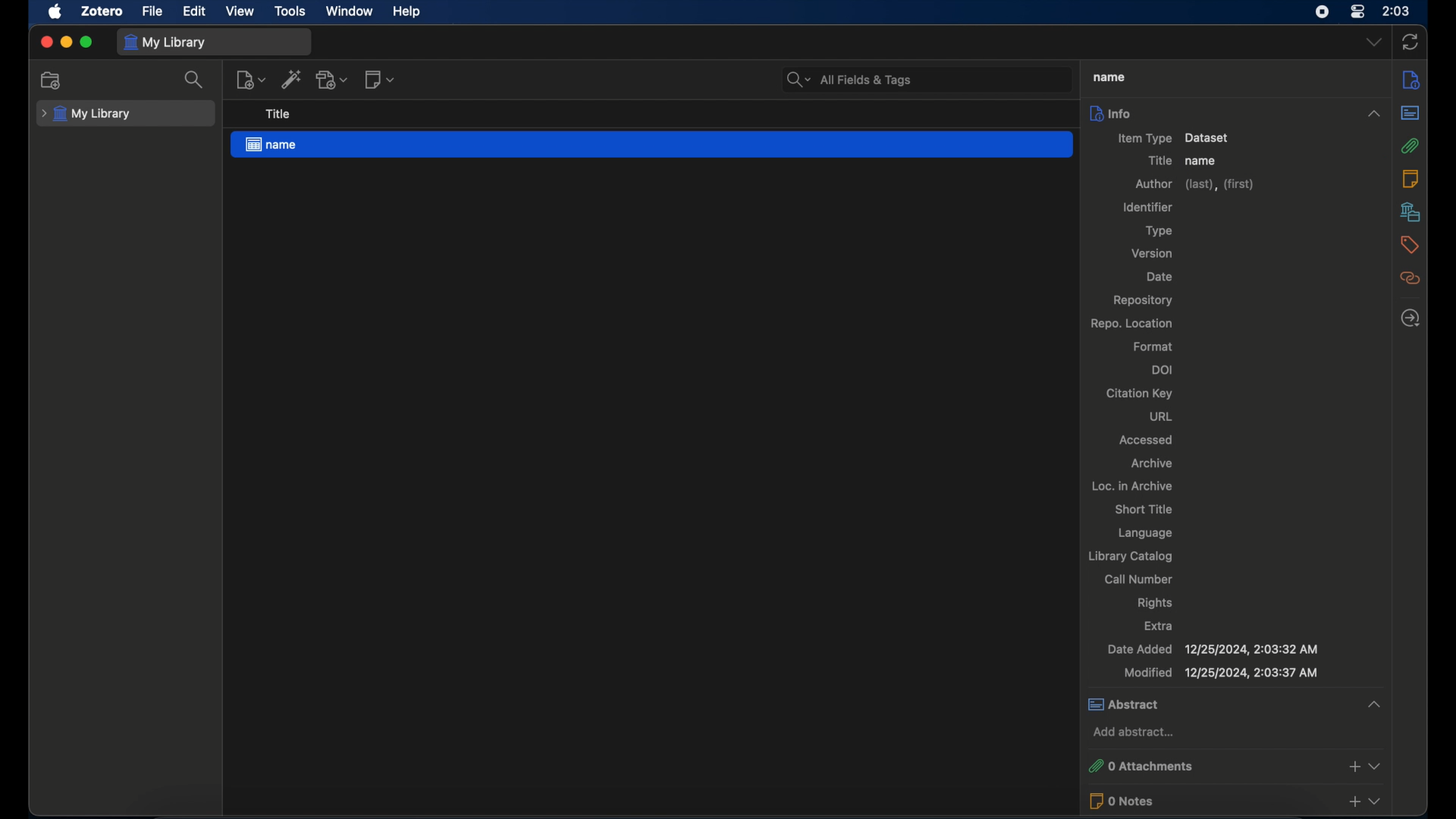  Describe the element at coordinates (1194, 185) in the screenshot. I see `author` at that location.